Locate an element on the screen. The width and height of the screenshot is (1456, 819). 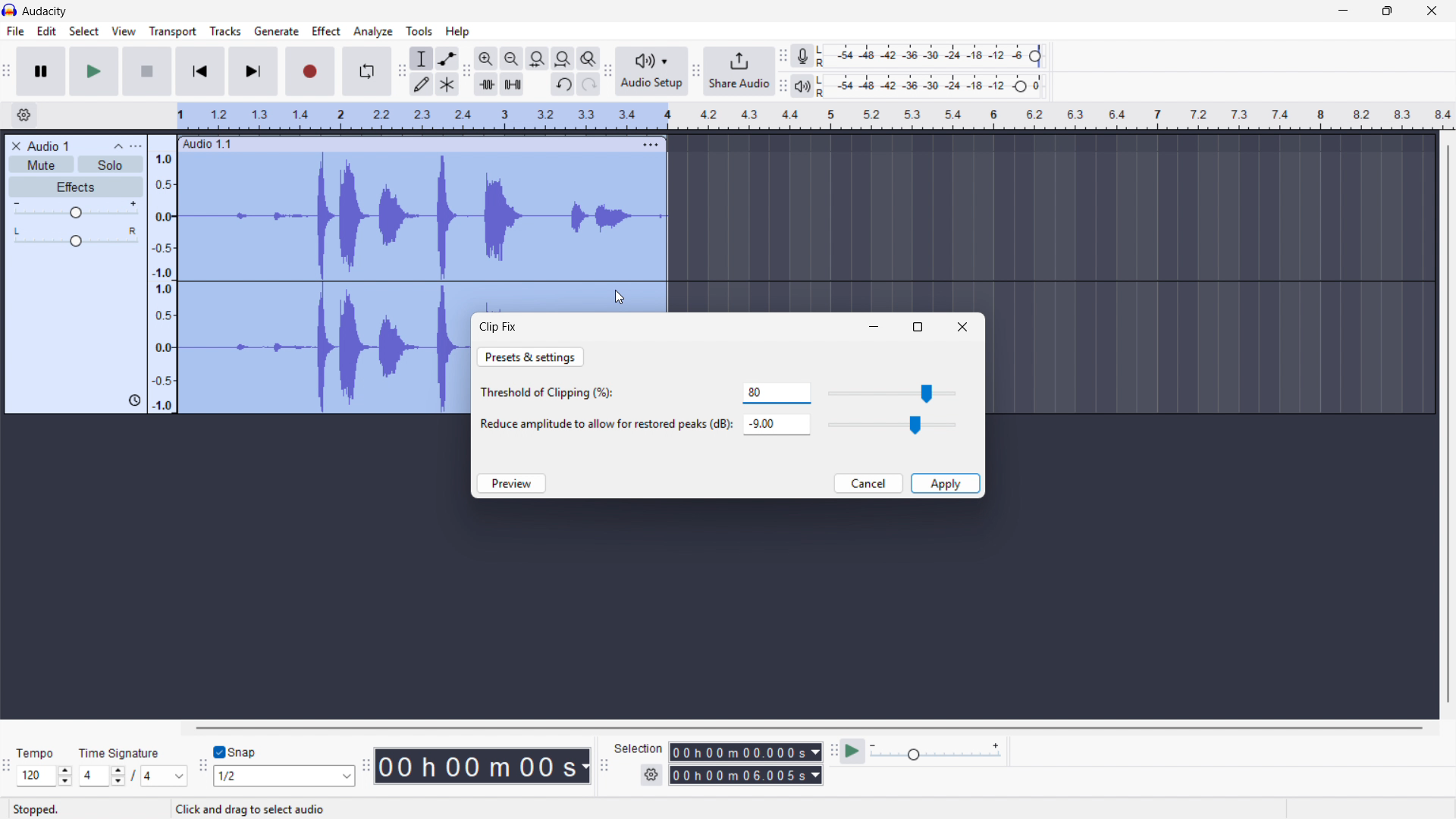
Horizontal scroll bar is located at coordinates (807, 728).